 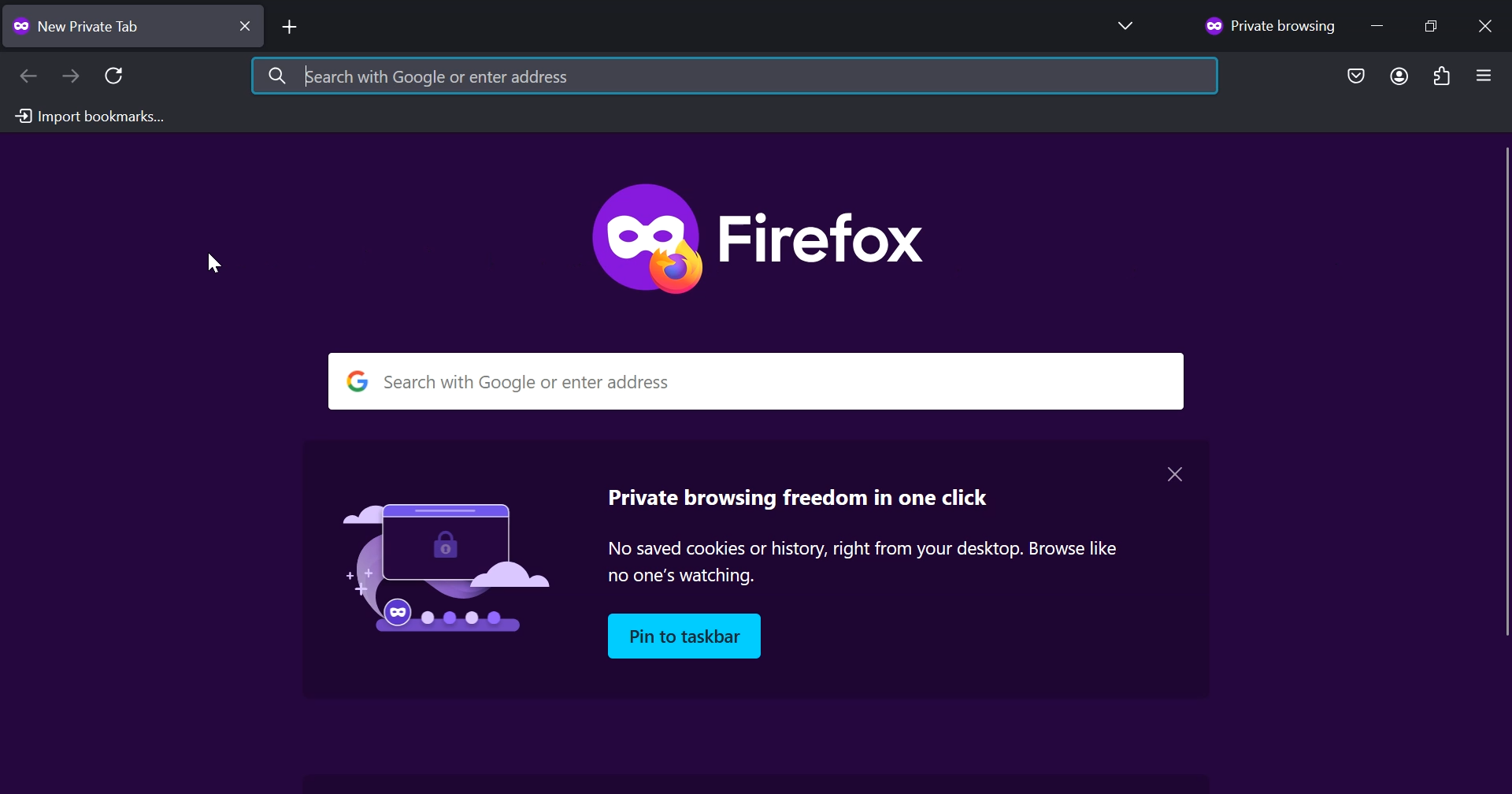 What do you see at coordinates (103, 114) in the screenshot?
I see `Import bookmark from another browser to Firefox` at bounding box center [103, 114].